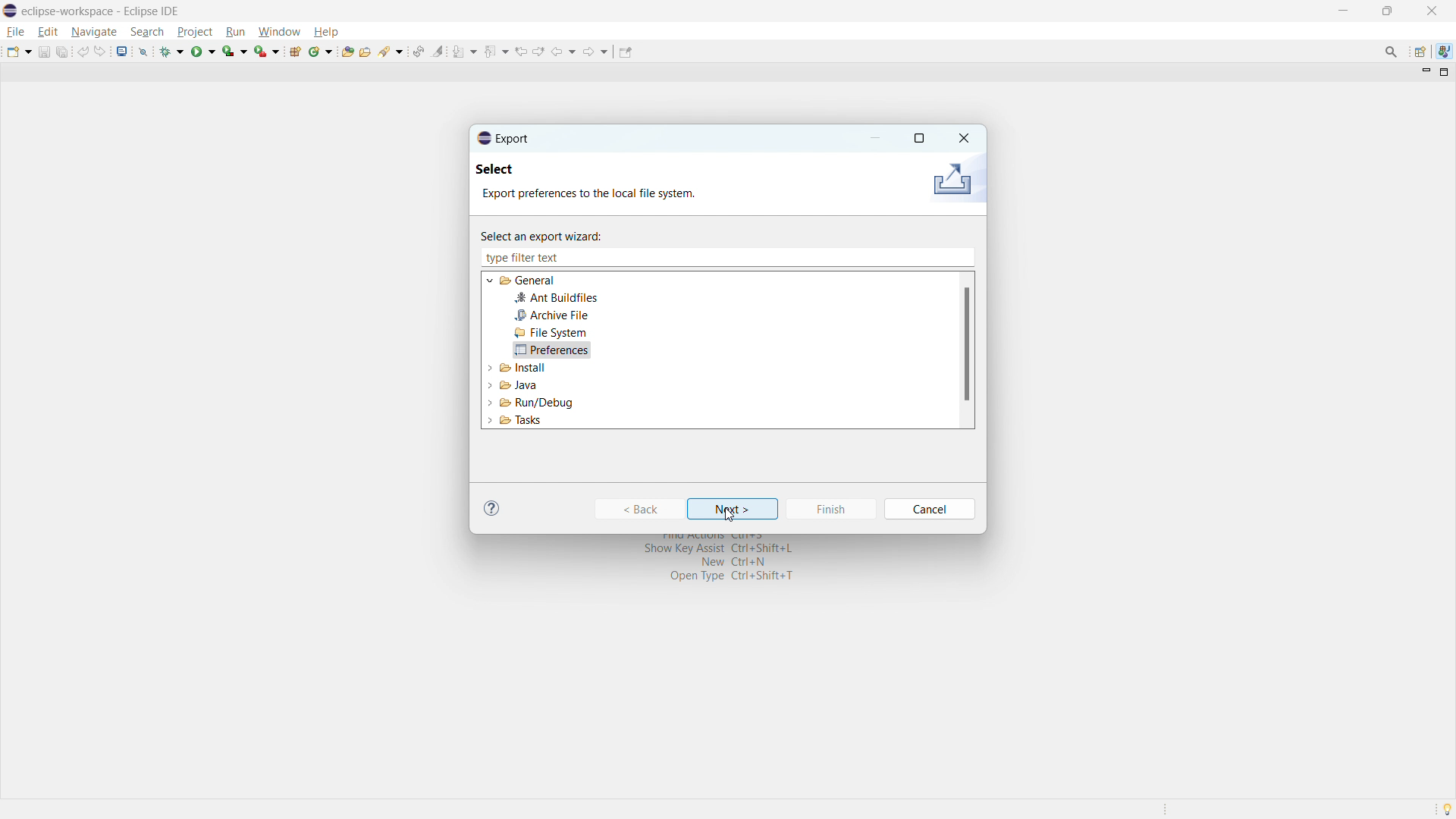  Describe the element at coordinates (100, 52) in the screenshot. I see `redo` at that location.